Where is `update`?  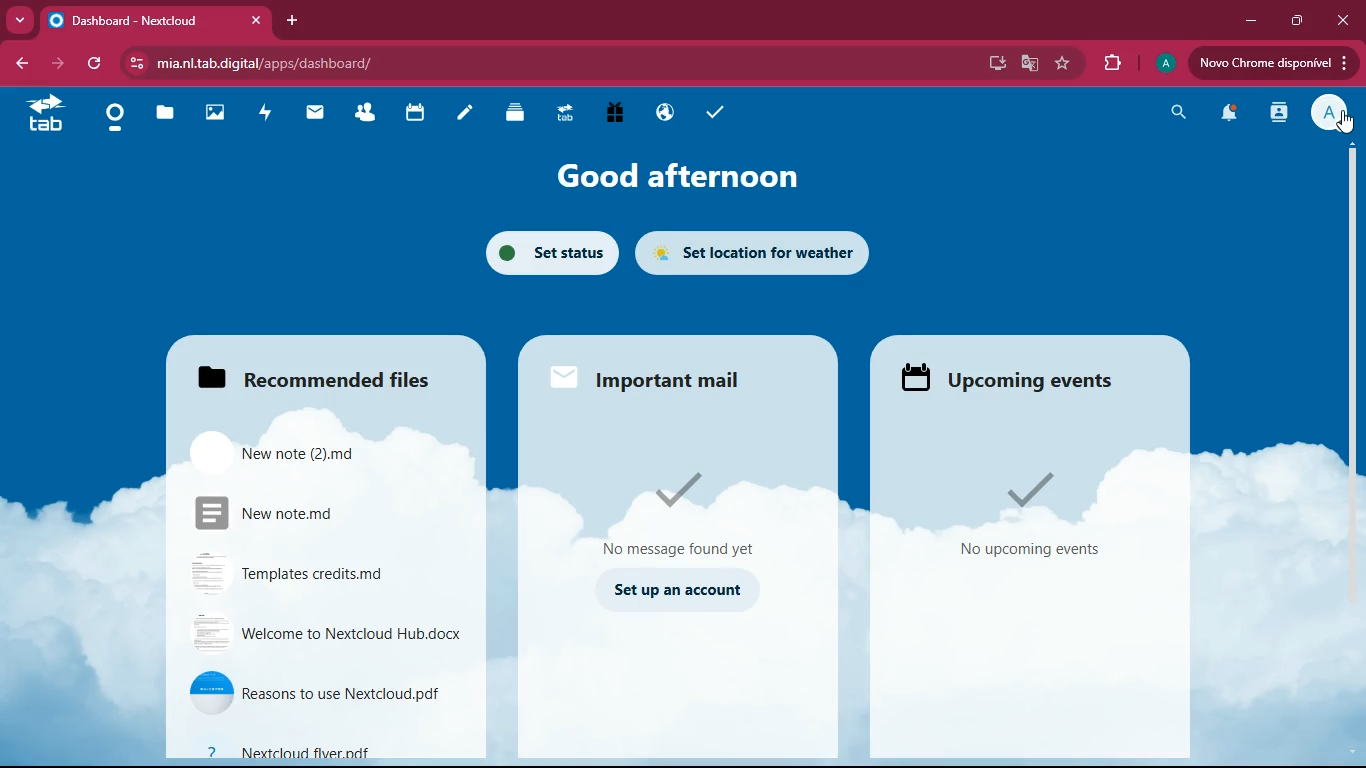 update is located at coordinates (1270, 63).